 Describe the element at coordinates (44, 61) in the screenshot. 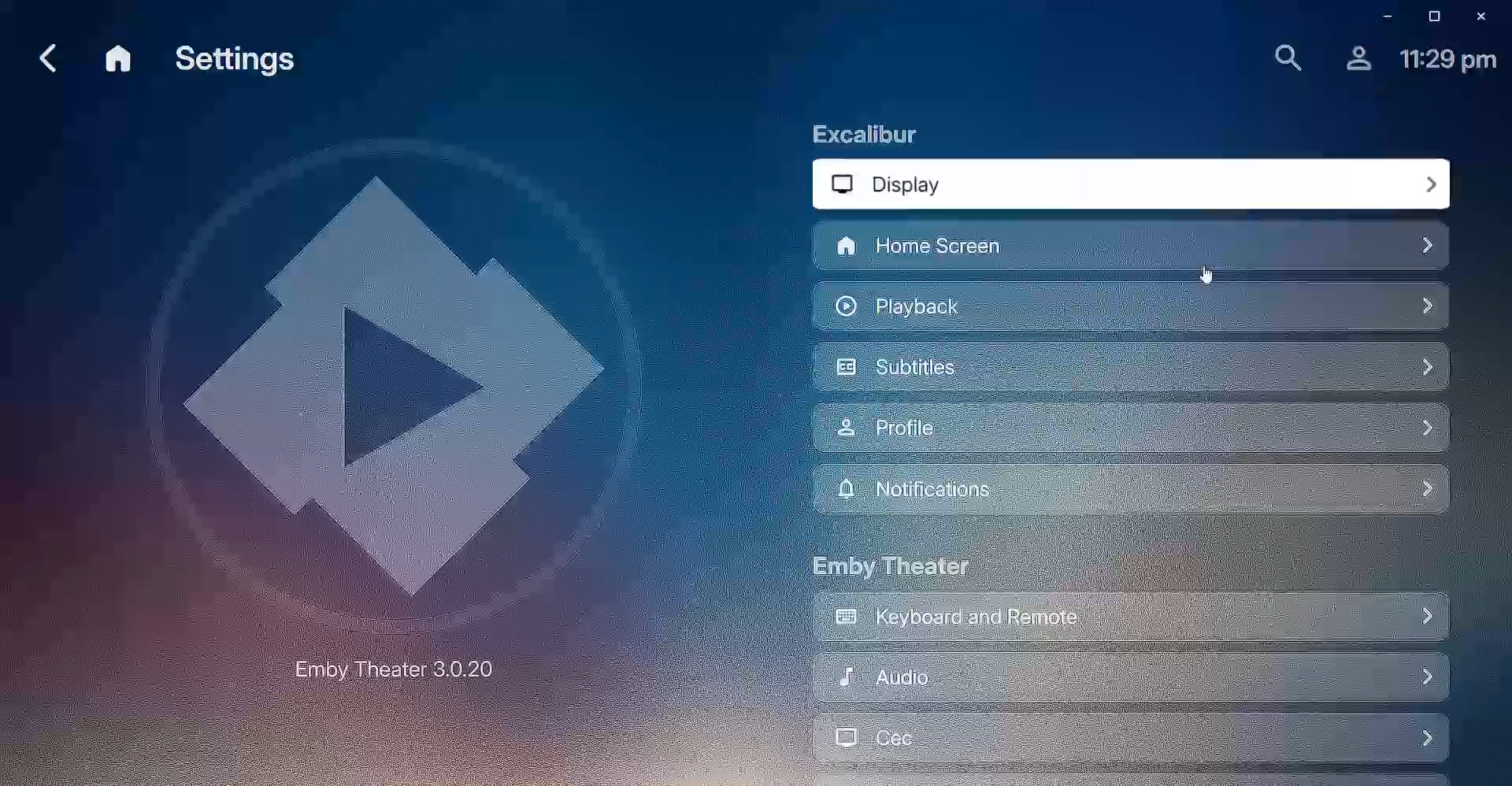

I see `Back` at that location.